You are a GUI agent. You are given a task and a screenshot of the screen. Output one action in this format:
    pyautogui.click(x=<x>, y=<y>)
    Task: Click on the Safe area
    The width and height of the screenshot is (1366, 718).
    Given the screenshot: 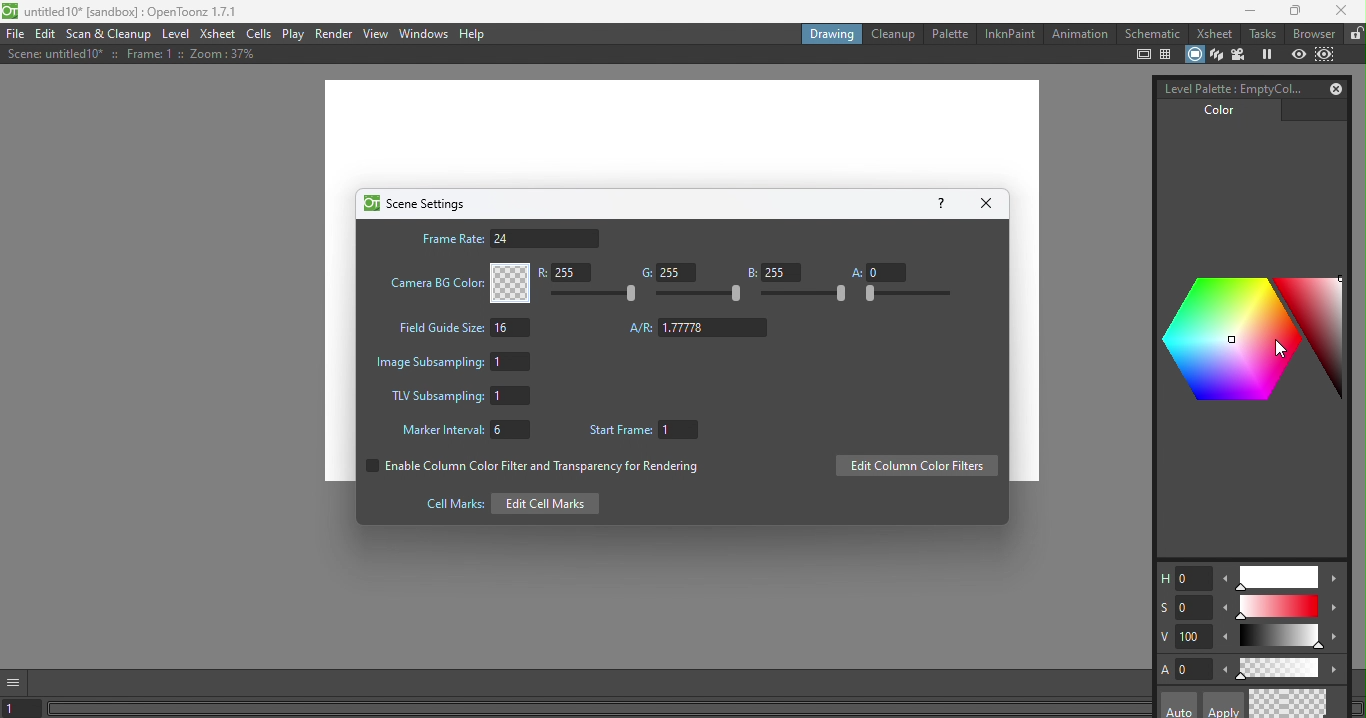 What is the action you would take?
    pyautogui.click(x=1142, y=55)
    